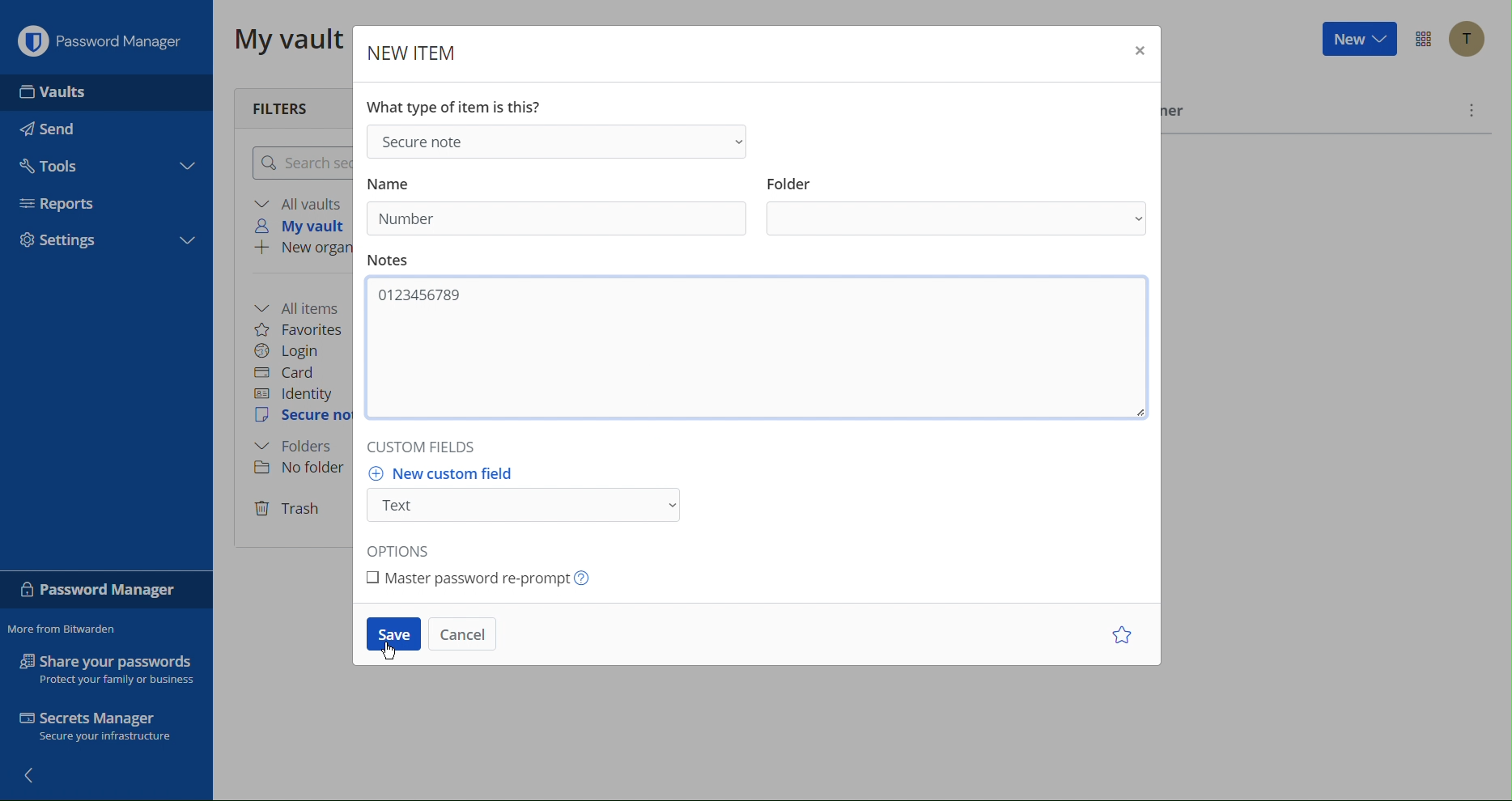 The image size is (1512, 801). I want to click on Favorites, so click(304, 328).